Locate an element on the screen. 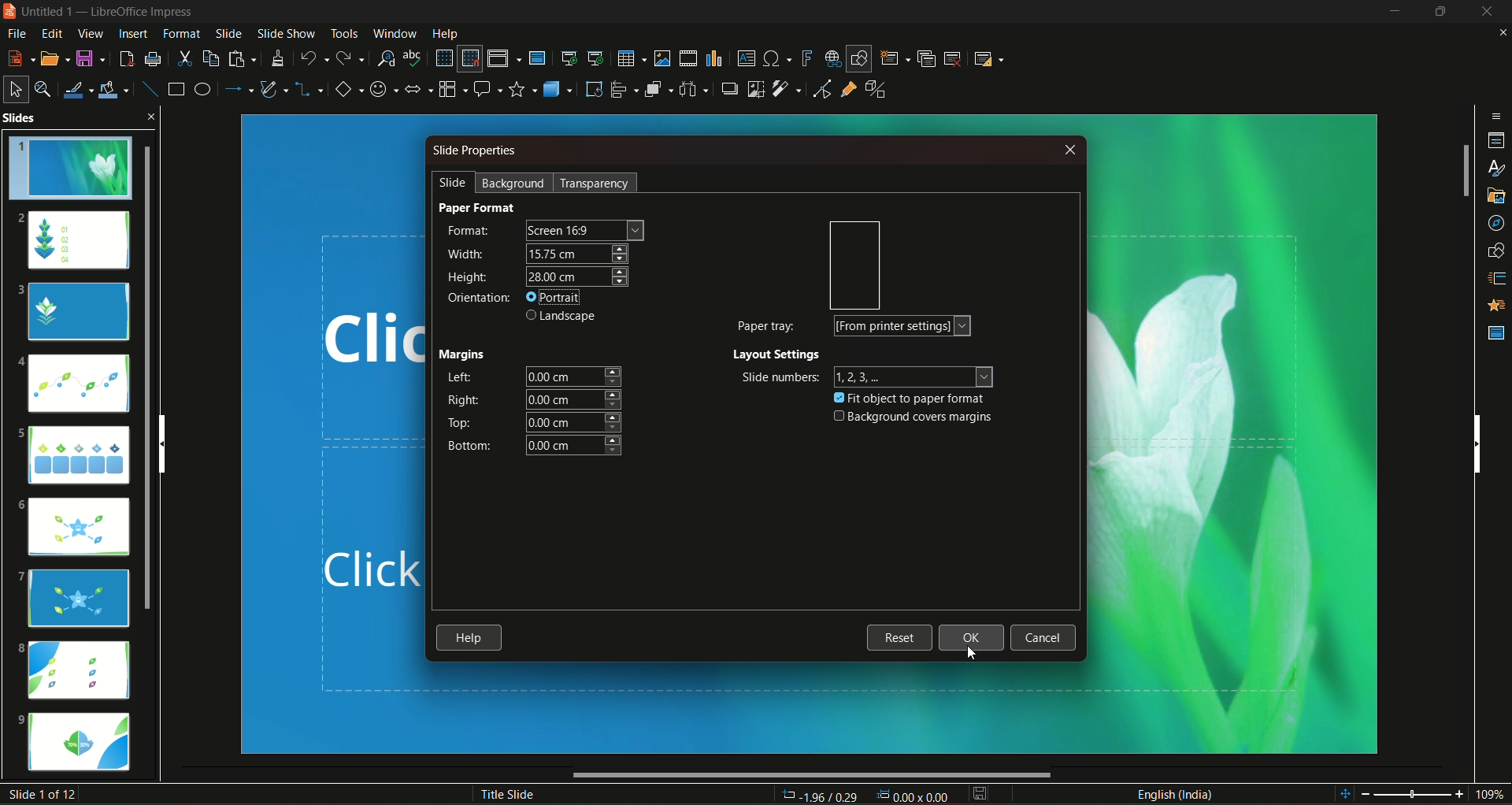  logo and title is located at coordinates (102, 14).